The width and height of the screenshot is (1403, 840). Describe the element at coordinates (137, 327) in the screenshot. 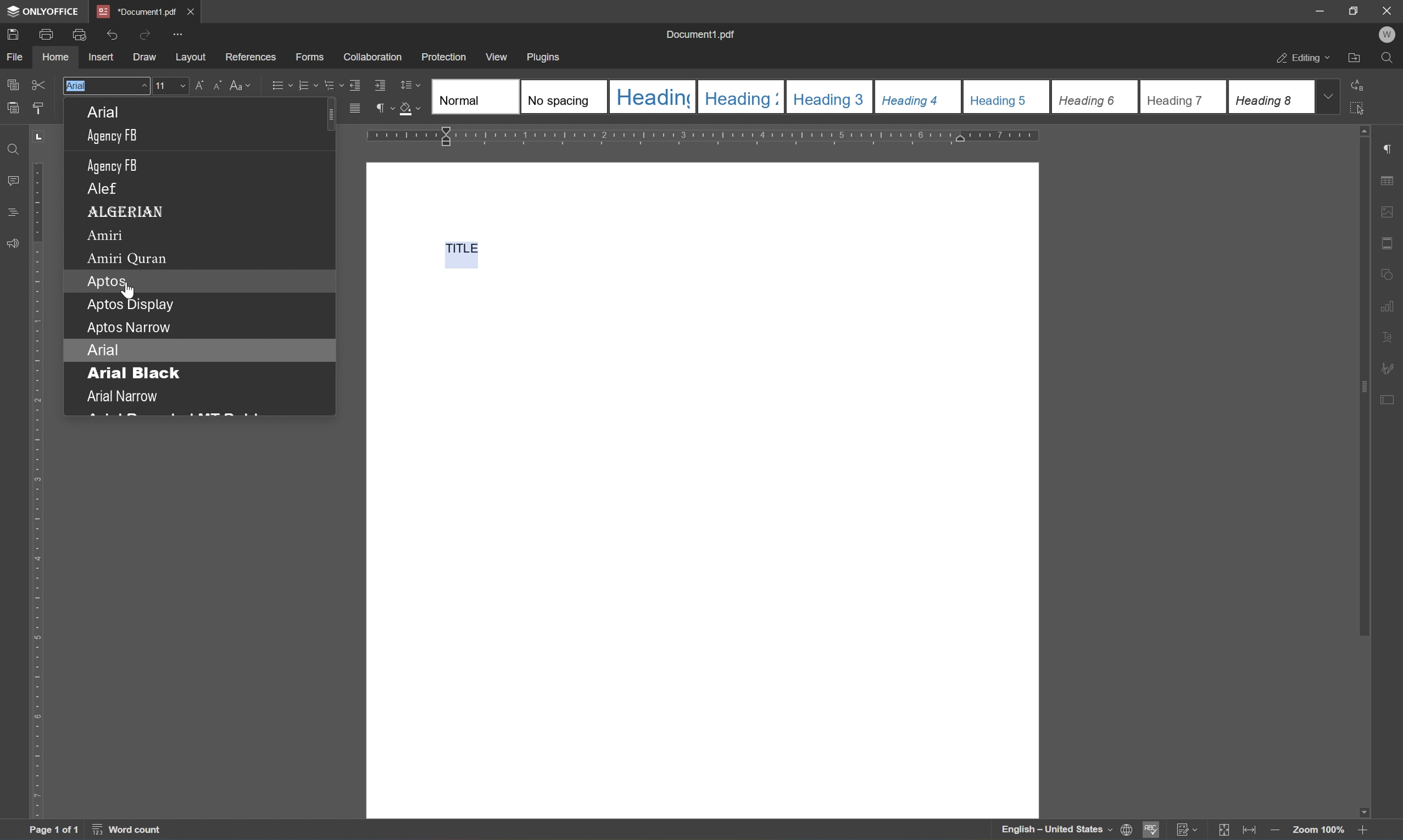

I see `Aptos Narrow` at that location.